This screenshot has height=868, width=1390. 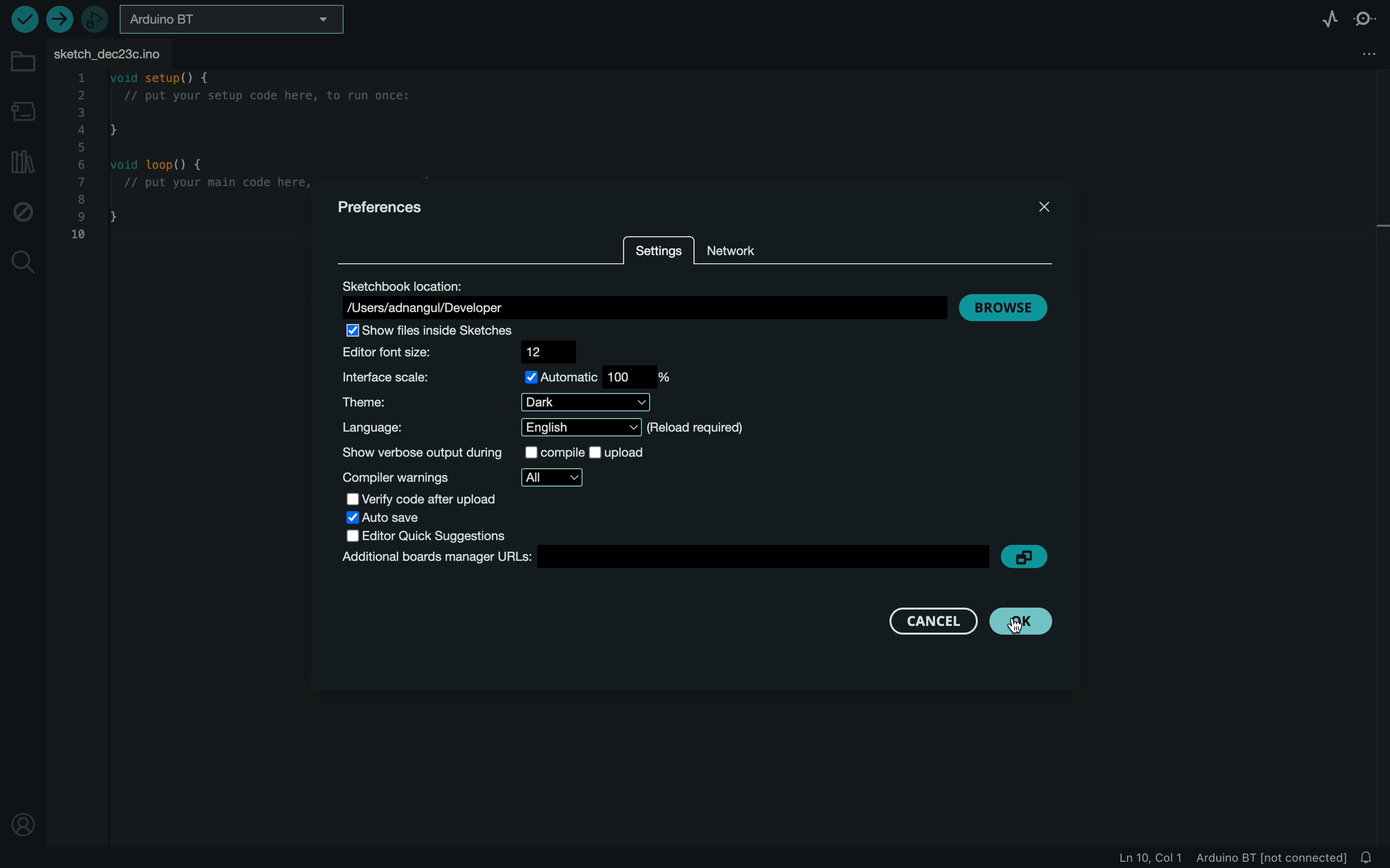 I want to click on editor, so click(x=469, y=351).